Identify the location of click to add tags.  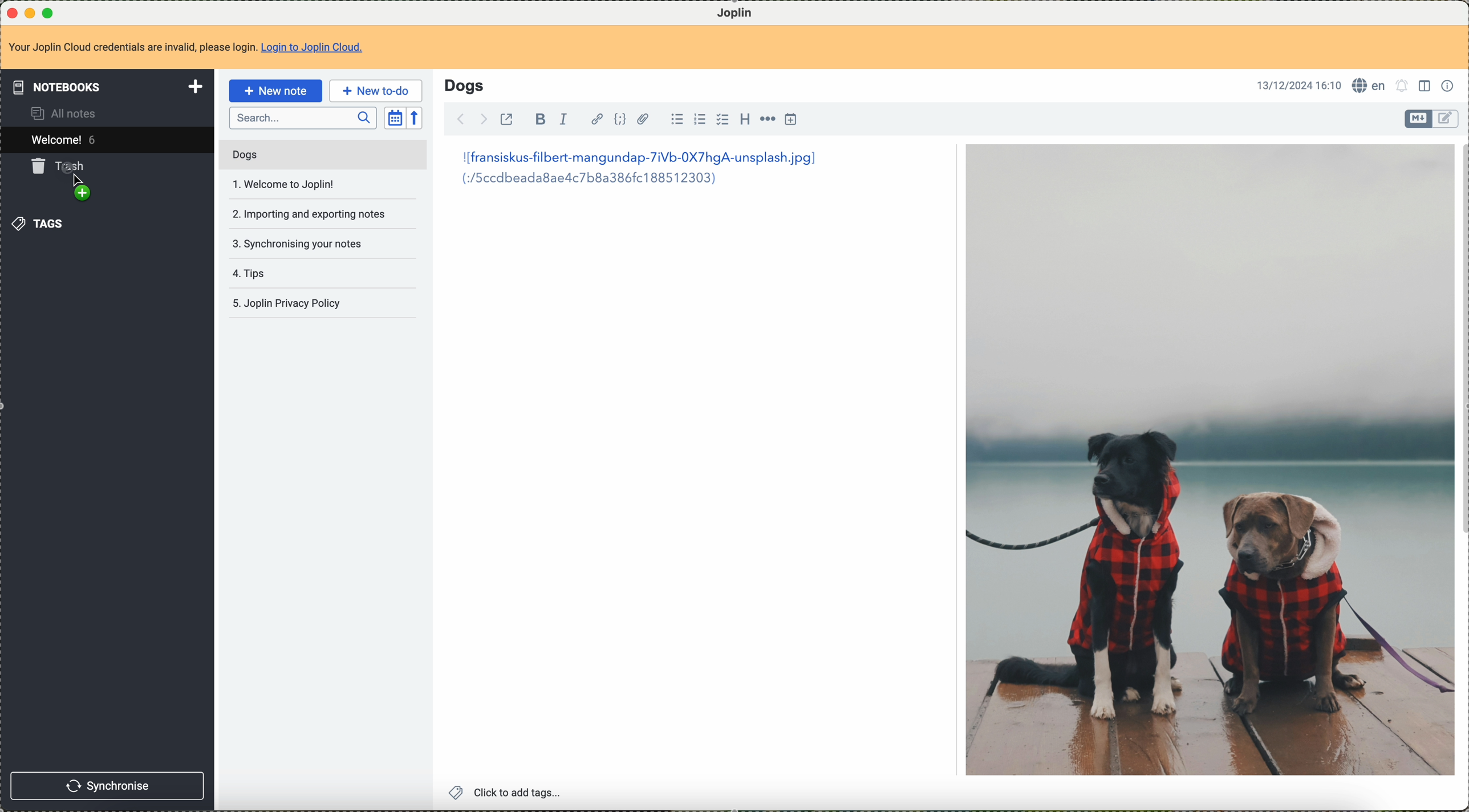
(507, 793).